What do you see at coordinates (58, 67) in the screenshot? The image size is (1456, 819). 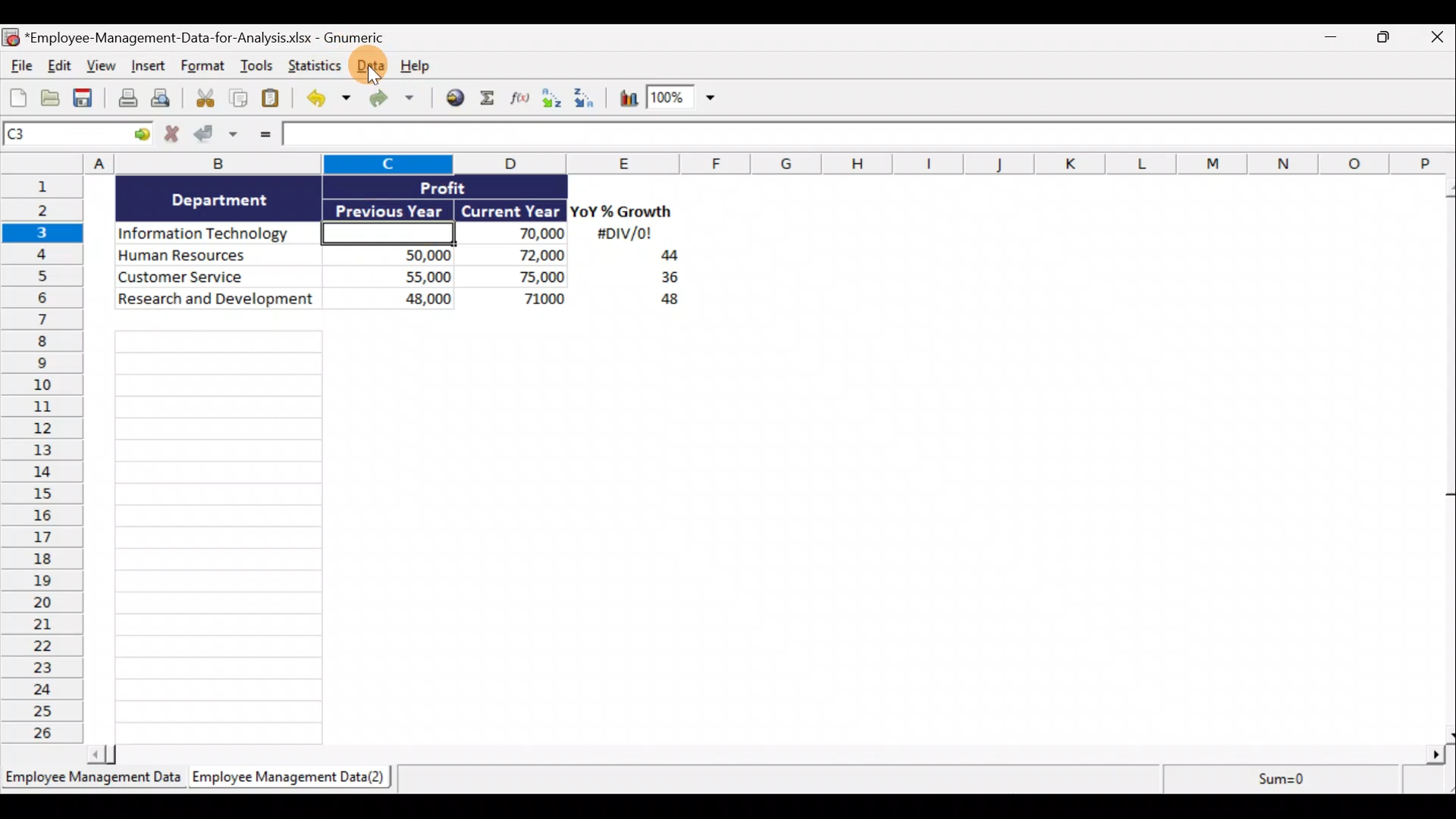 I see `Edit` at bounding box center [58, 67].